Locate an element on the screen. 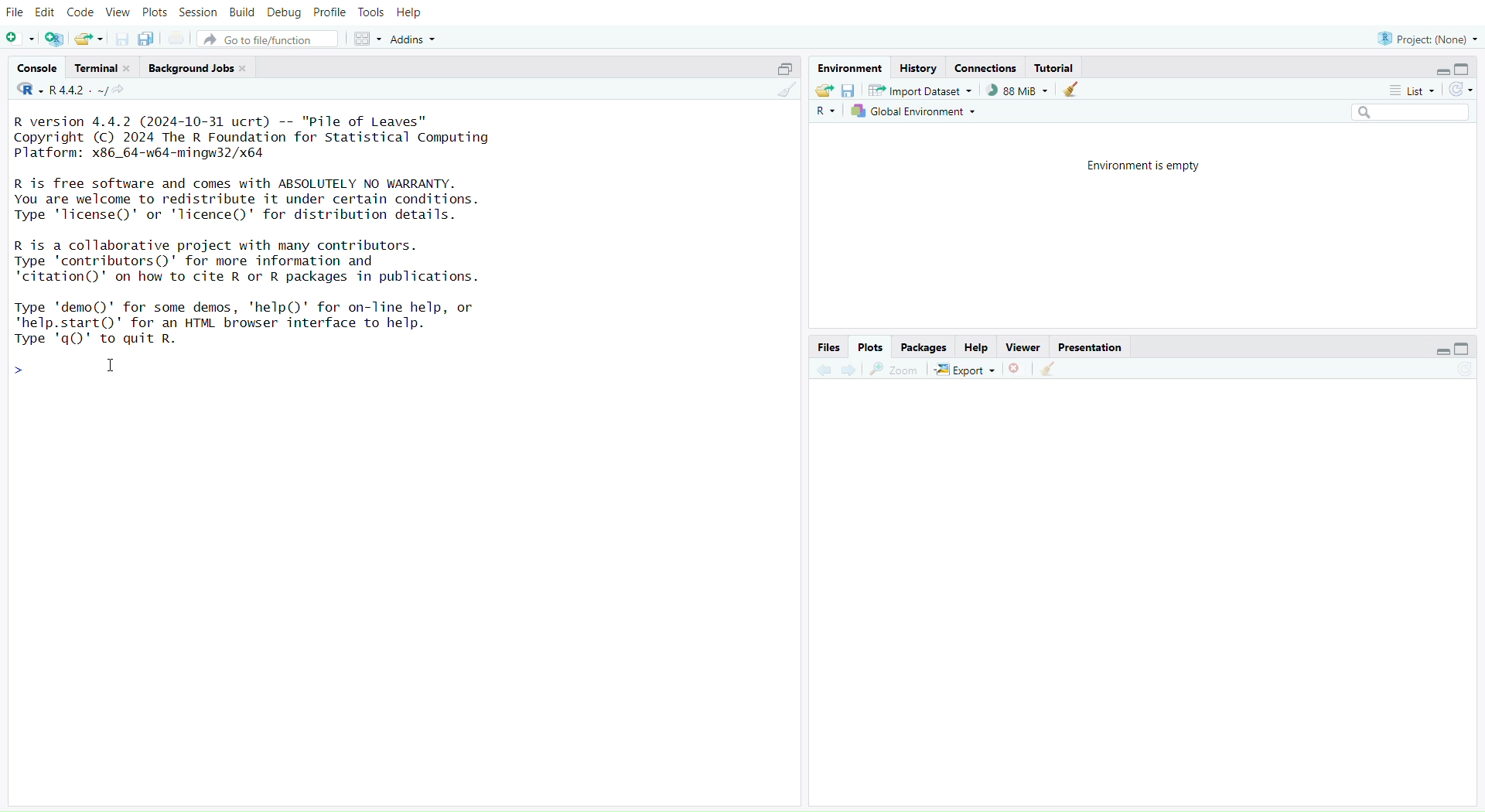 This screenshot has width=1485, height=812. new script is located at coordinates (20, 40).